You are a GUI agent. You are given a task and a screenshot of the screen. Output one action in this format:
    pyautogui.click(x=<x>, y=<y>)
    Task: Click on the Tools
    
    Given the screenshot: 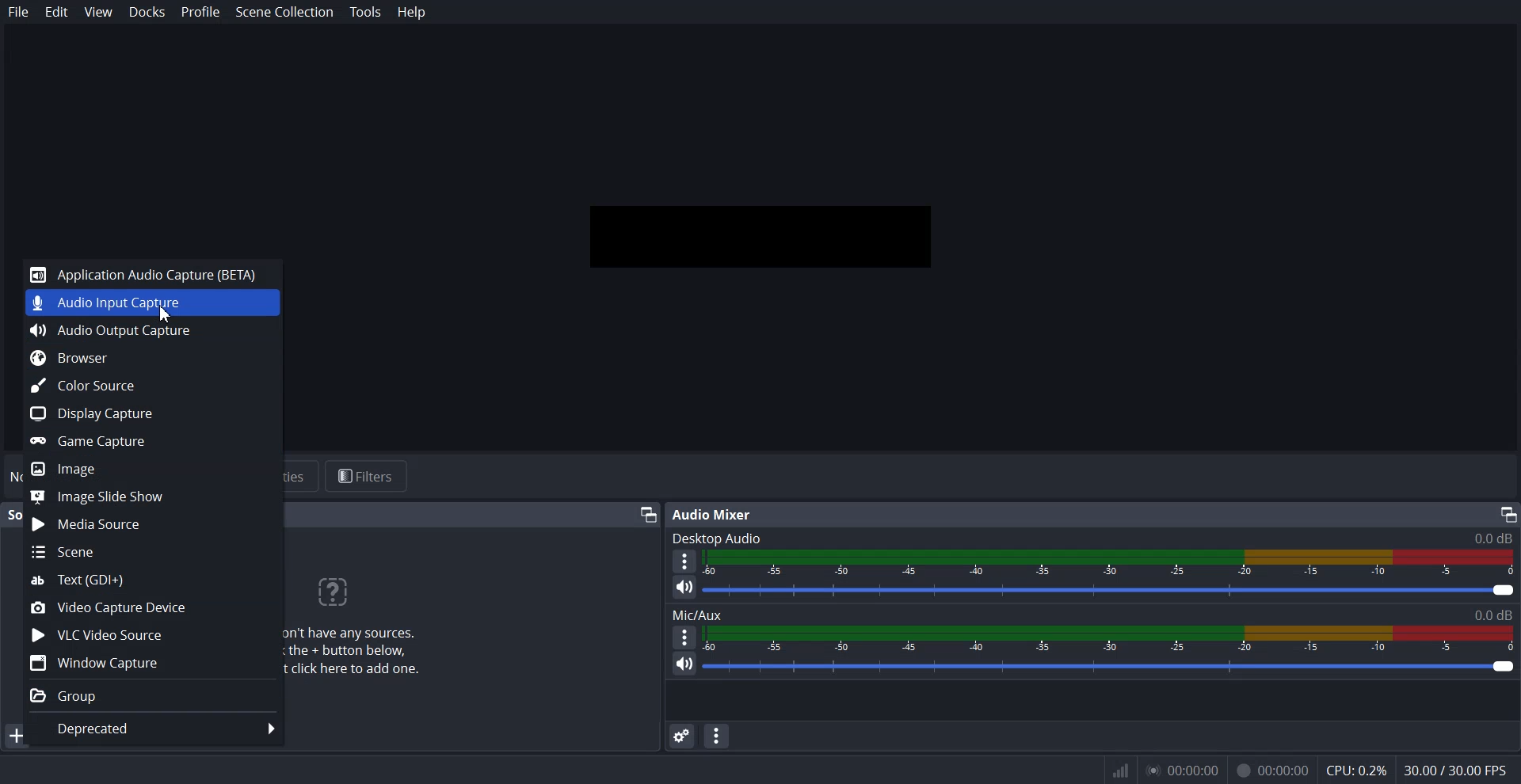 What is the action you would take?
    pyautogui.click(x=367, y=13)
    